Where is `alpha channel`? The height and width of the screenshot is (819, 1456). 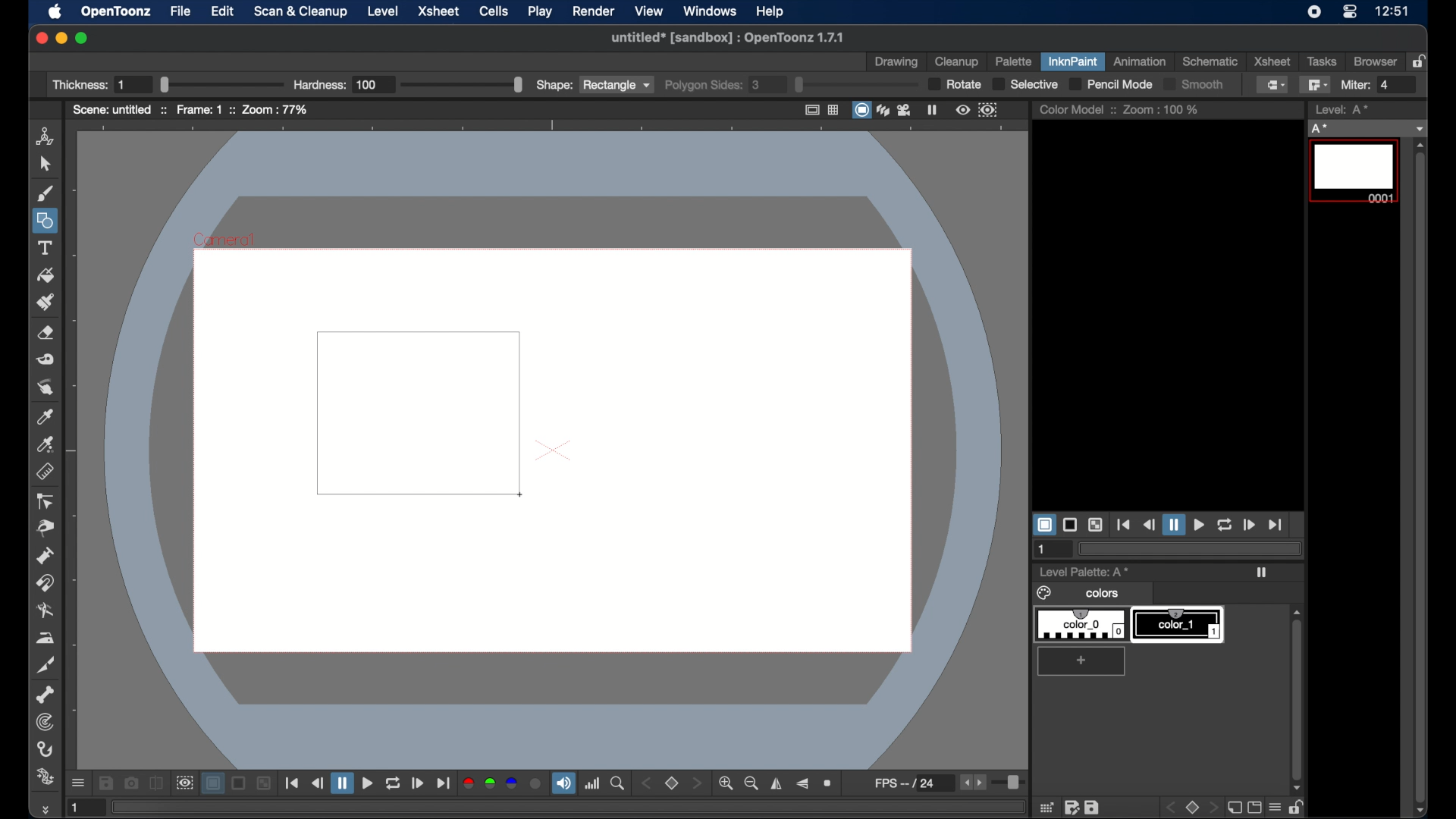
alpha channel is located at coordinates (536, 783).